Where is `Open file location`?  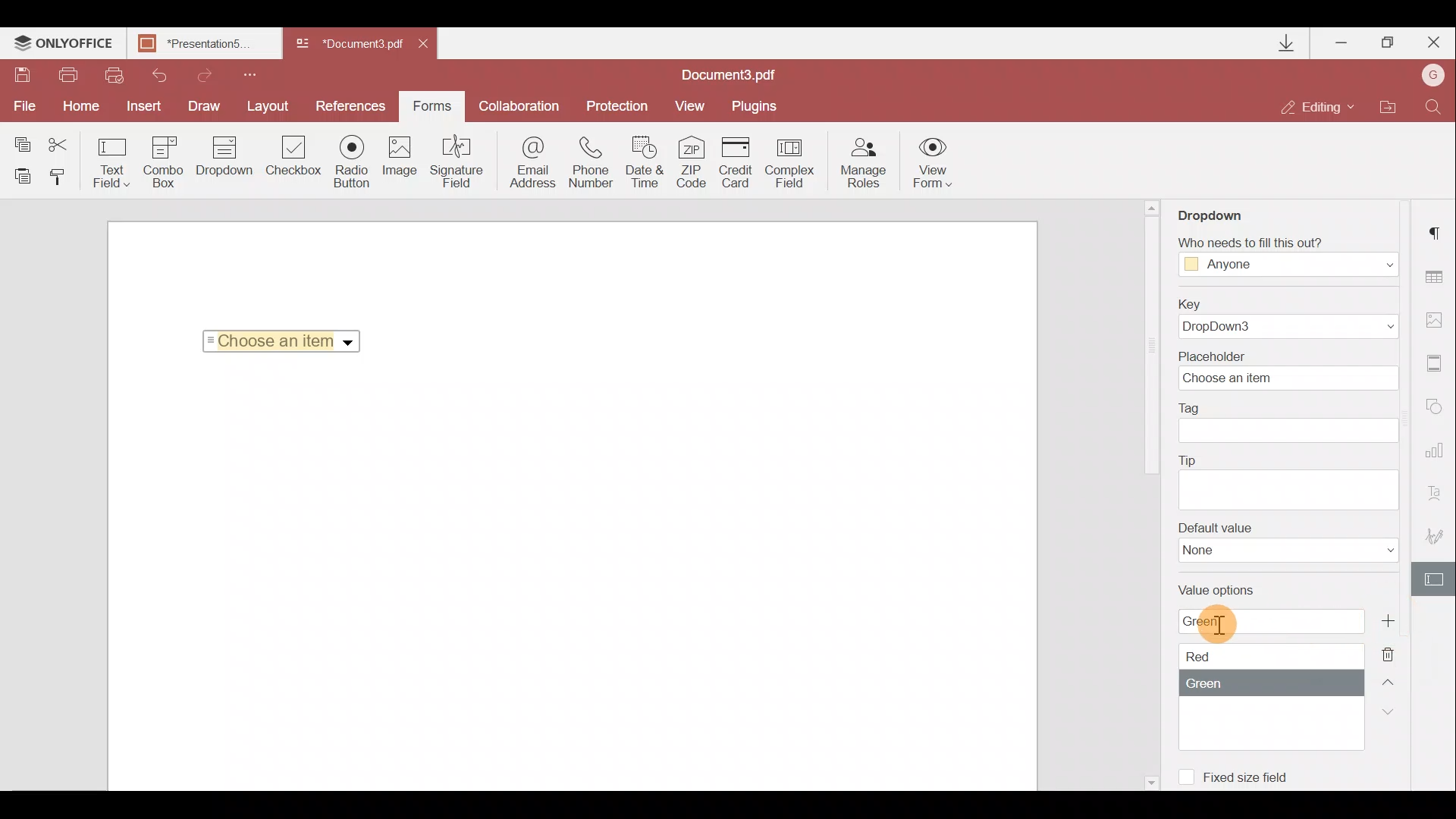 Open file location is located at coordinates (1389, 106).